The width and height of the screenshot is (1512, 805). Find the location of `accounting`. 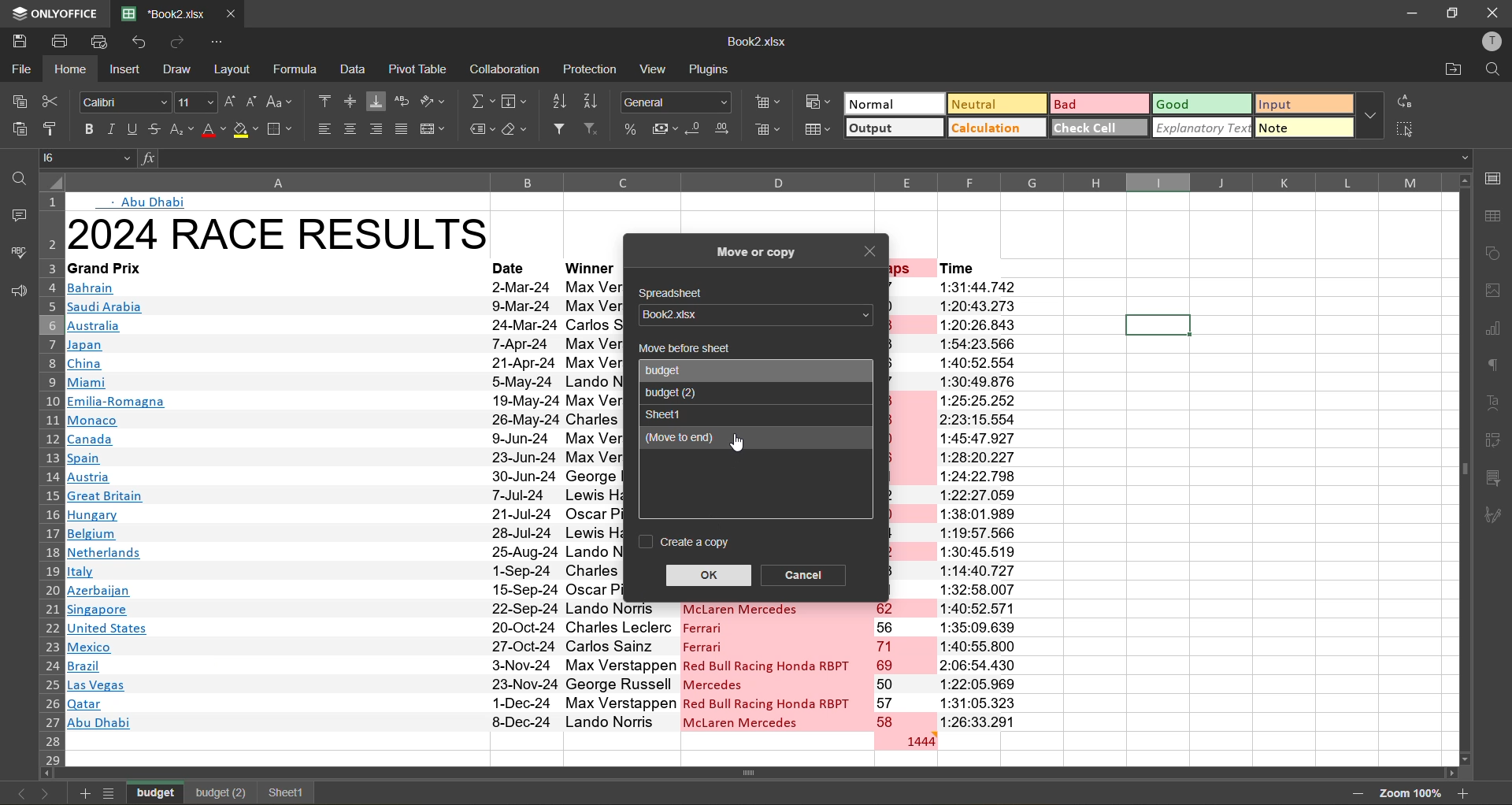

accounting is located at coordinates (666, 129).